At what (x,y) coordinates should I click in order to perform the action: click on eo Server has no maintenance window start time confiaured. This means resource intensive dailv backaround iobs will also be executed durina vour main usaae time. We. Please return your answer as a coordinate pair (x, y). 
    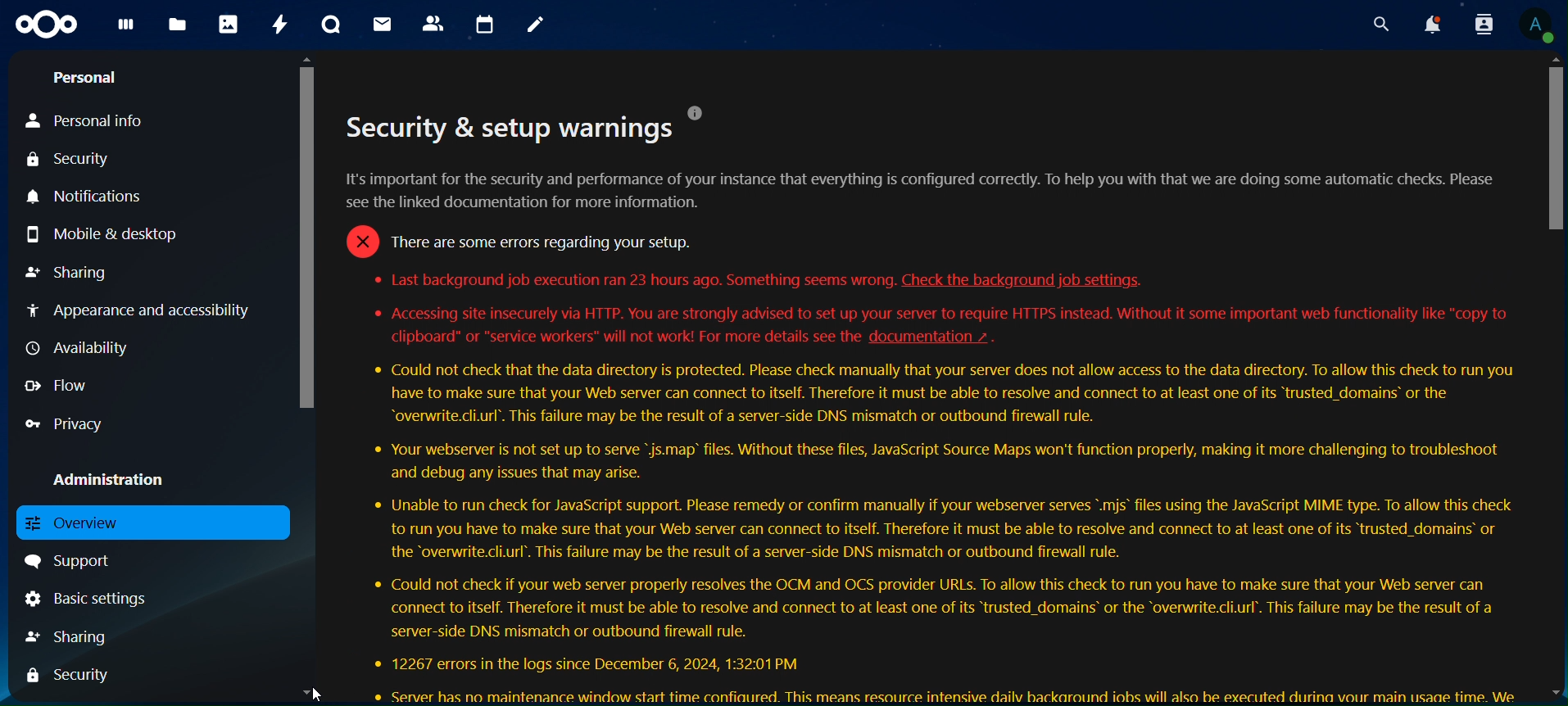
    Looking at the image, I should click on (945, 694).